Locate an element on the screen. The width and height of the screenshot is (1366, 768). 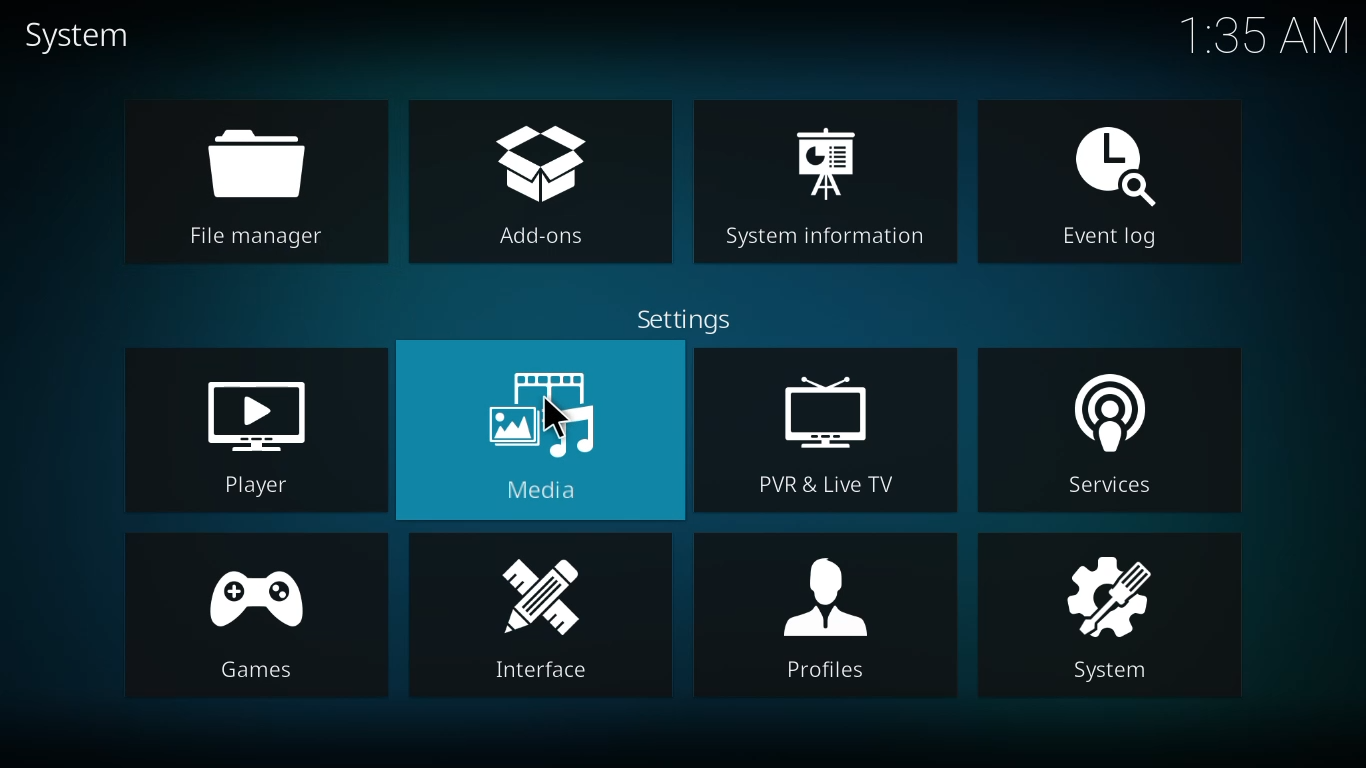
system is located at coordinates (77, 36).